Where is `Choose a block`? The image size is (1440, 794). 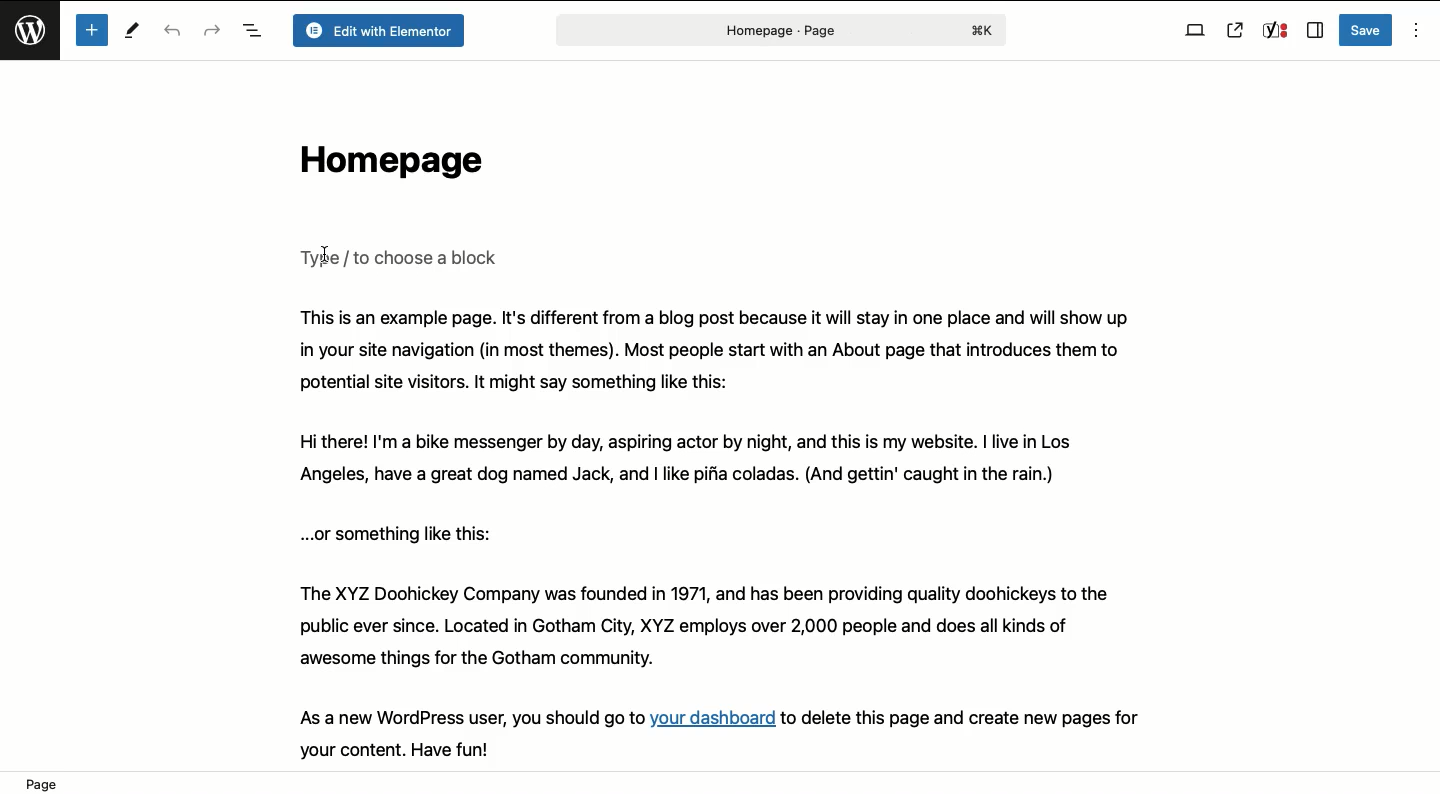 Choose a block is located at coordinates (403, 257).